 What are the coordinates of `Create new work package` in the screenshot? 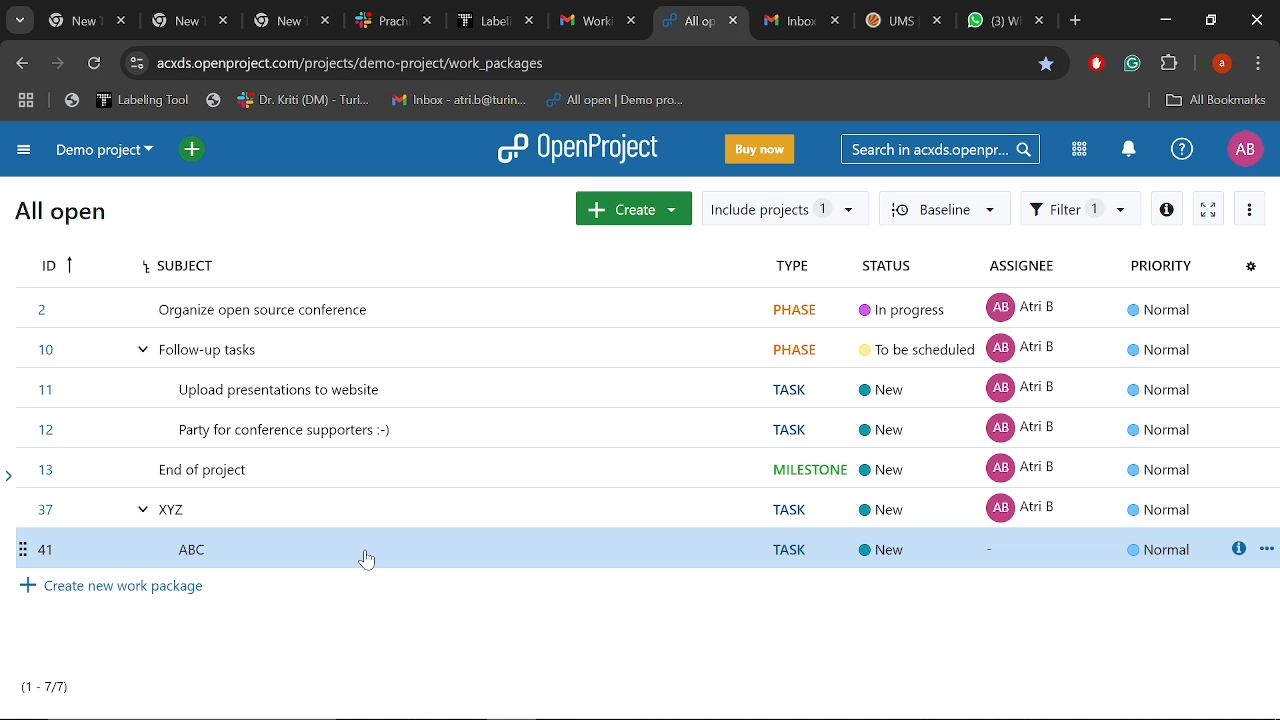 It's located at (643, 588).